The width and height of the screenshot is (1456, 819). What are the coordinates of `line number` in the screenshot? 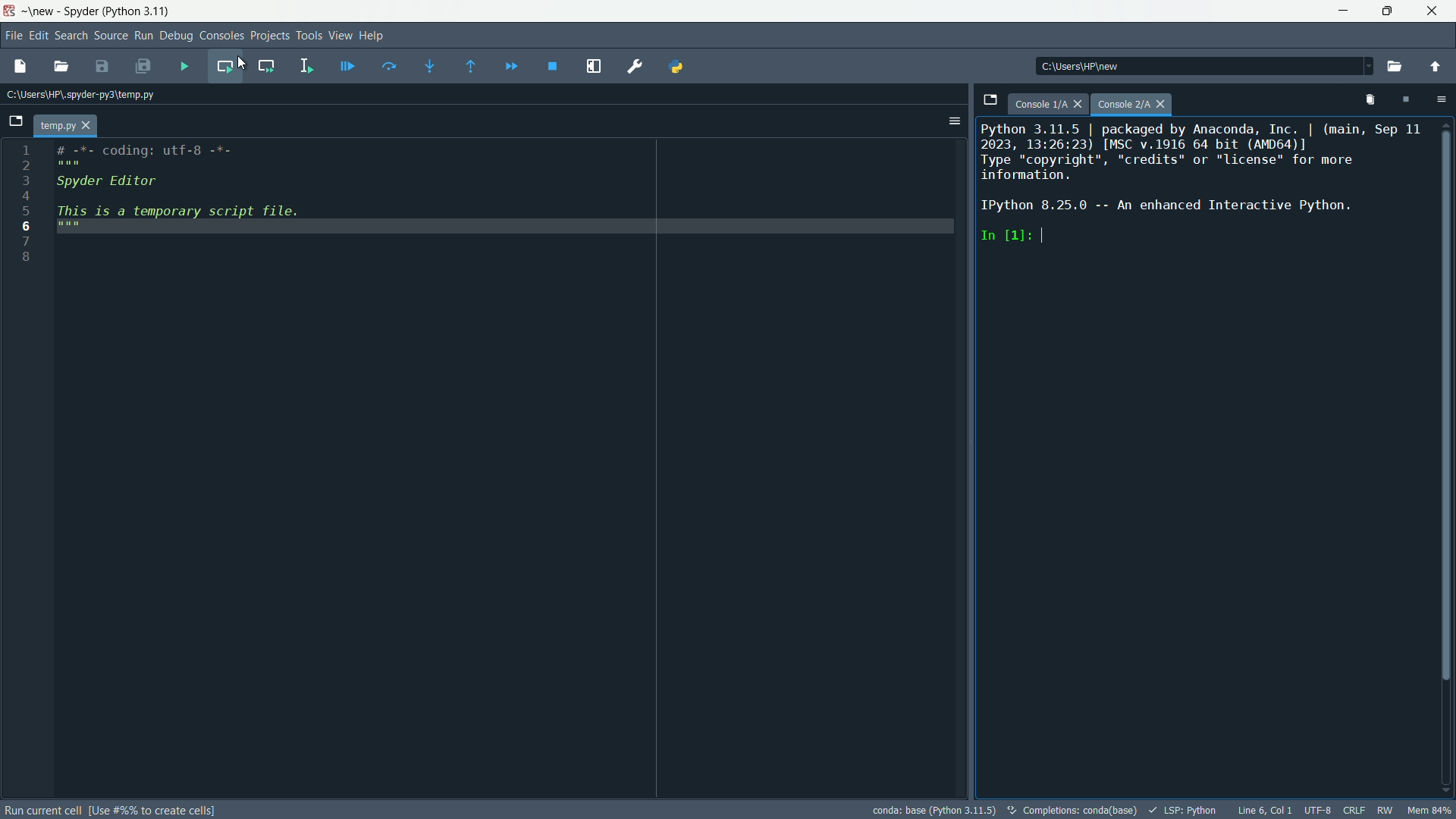 It's located at (23, 202).